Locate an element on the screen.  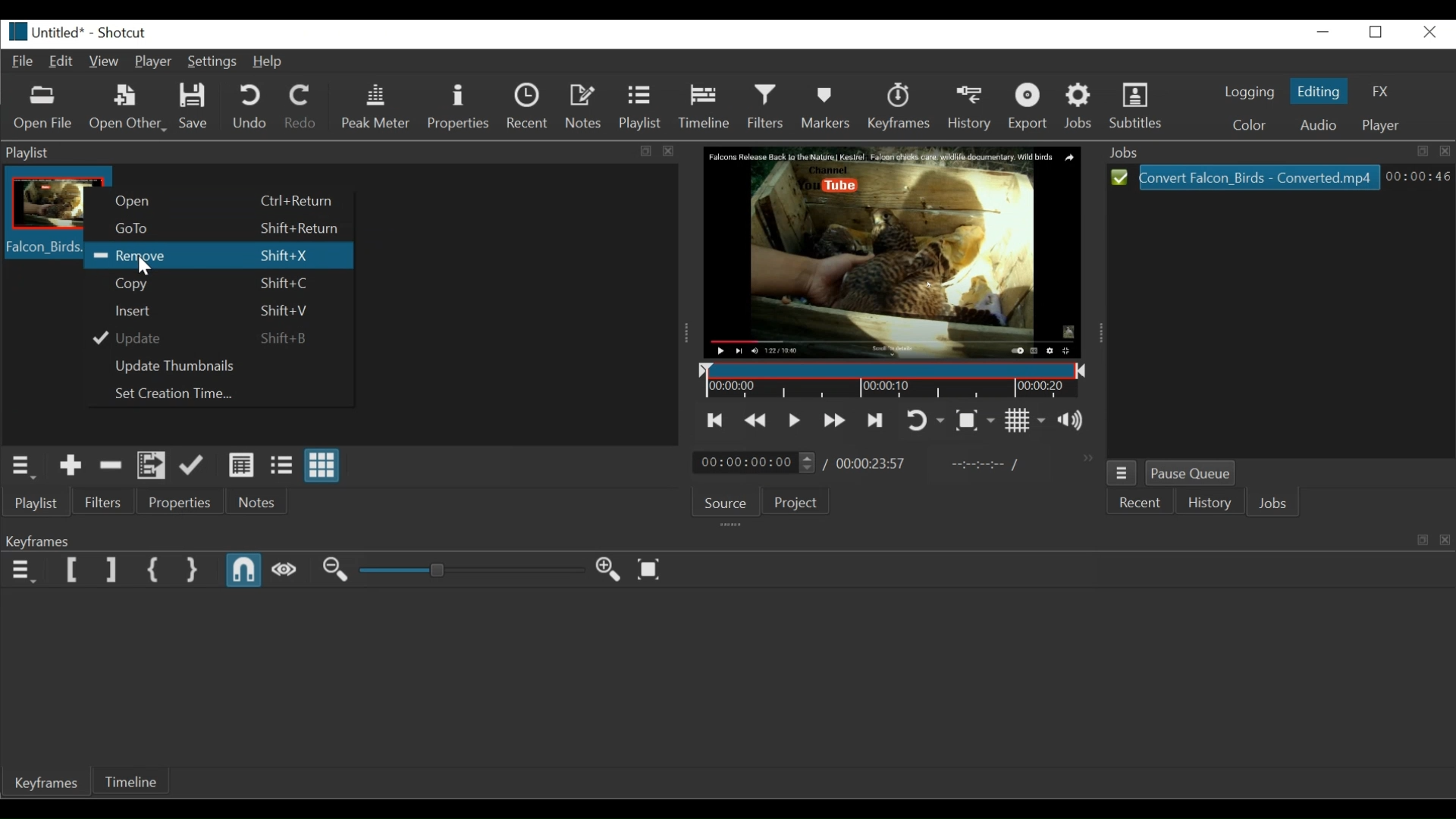
Toggle play or pause is located at coordinates (792, 420).